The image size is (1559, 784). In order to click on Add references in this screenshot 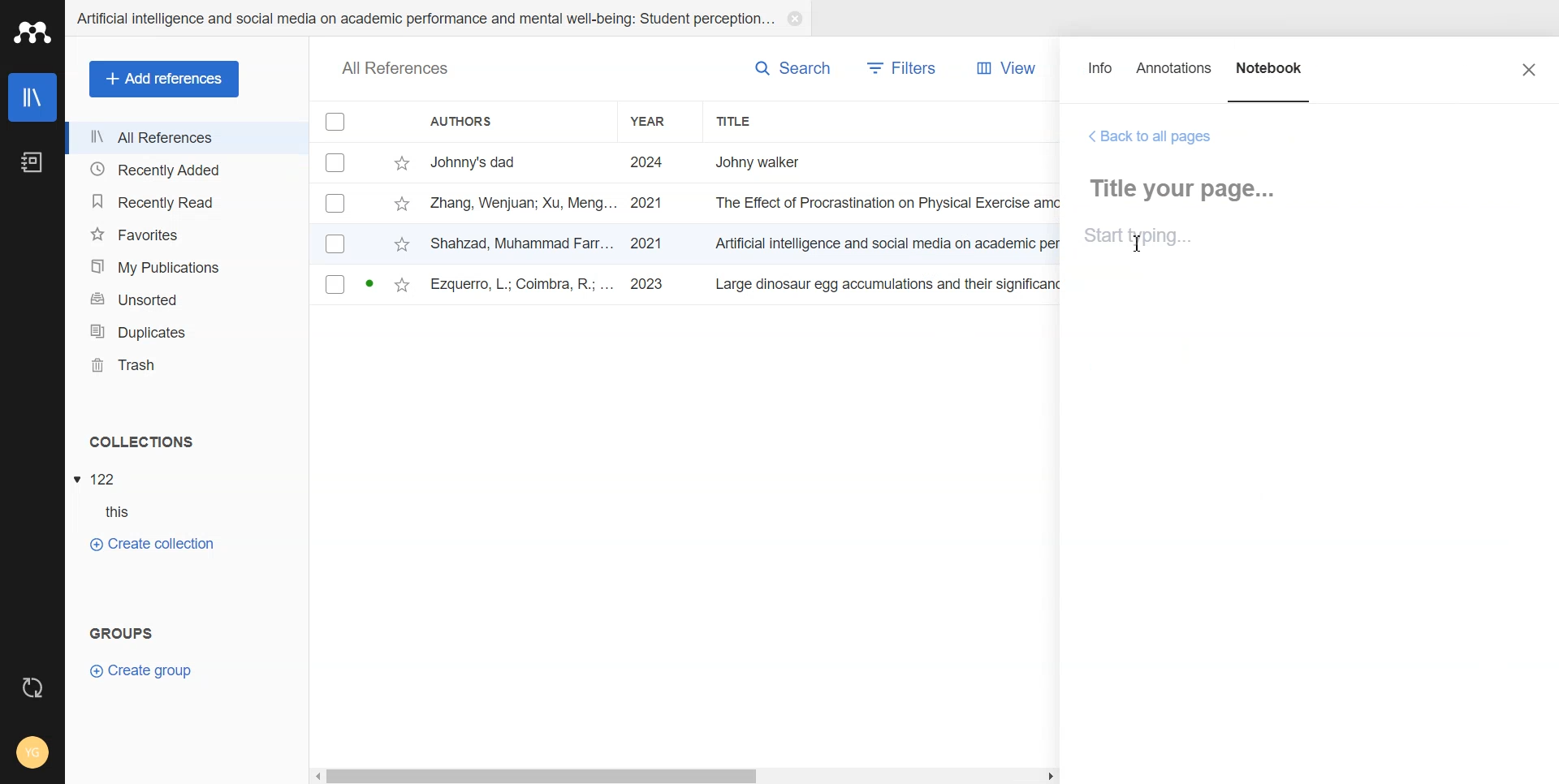, I will do `click(165, 80)`.